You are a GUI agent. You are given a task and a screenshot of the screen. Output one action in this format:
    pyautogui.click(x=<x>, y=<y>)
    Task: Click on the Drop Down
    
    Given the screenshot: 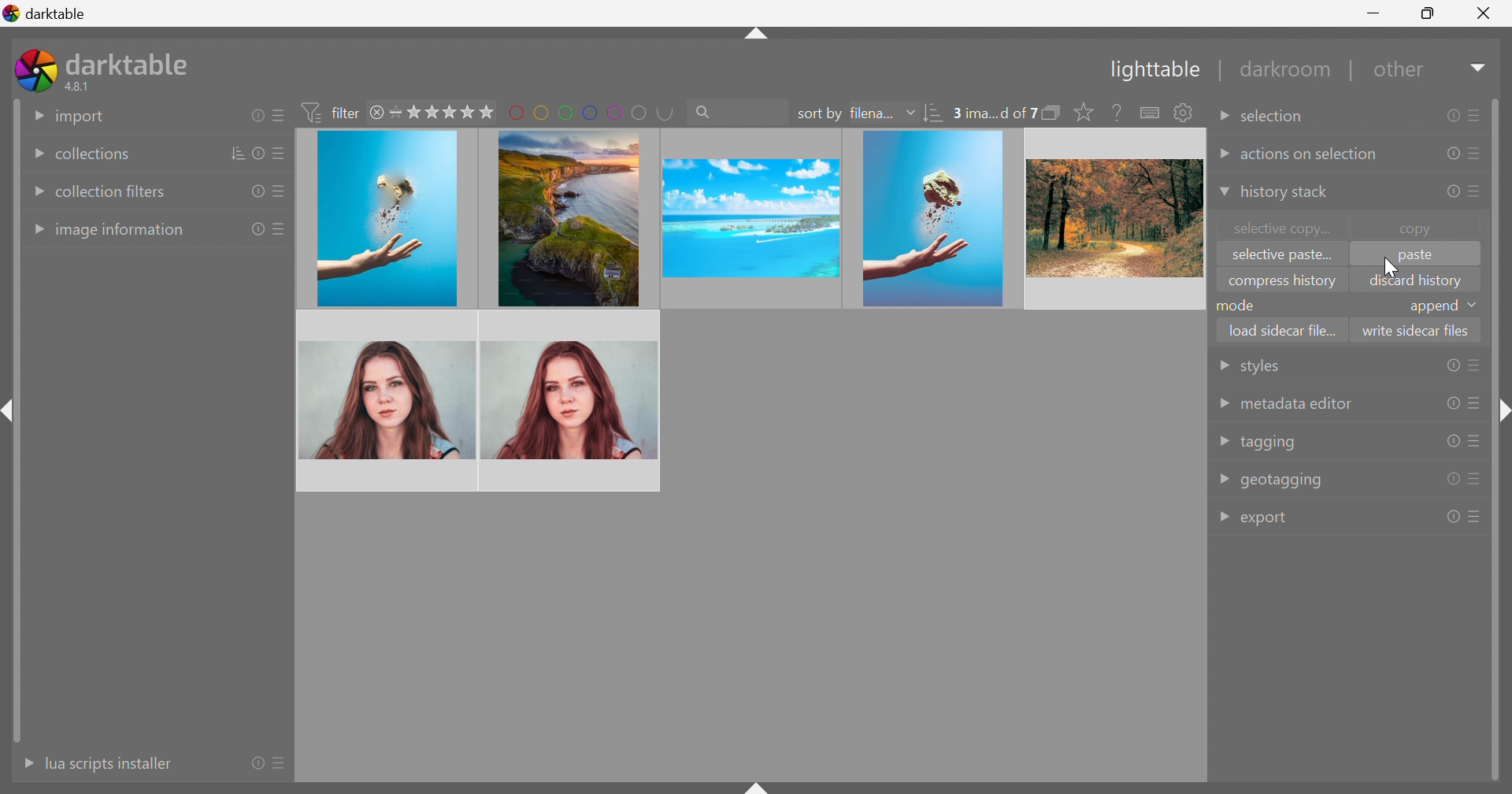 What is the action you would take?
    pyautogui.click(x=35, y=192)
    